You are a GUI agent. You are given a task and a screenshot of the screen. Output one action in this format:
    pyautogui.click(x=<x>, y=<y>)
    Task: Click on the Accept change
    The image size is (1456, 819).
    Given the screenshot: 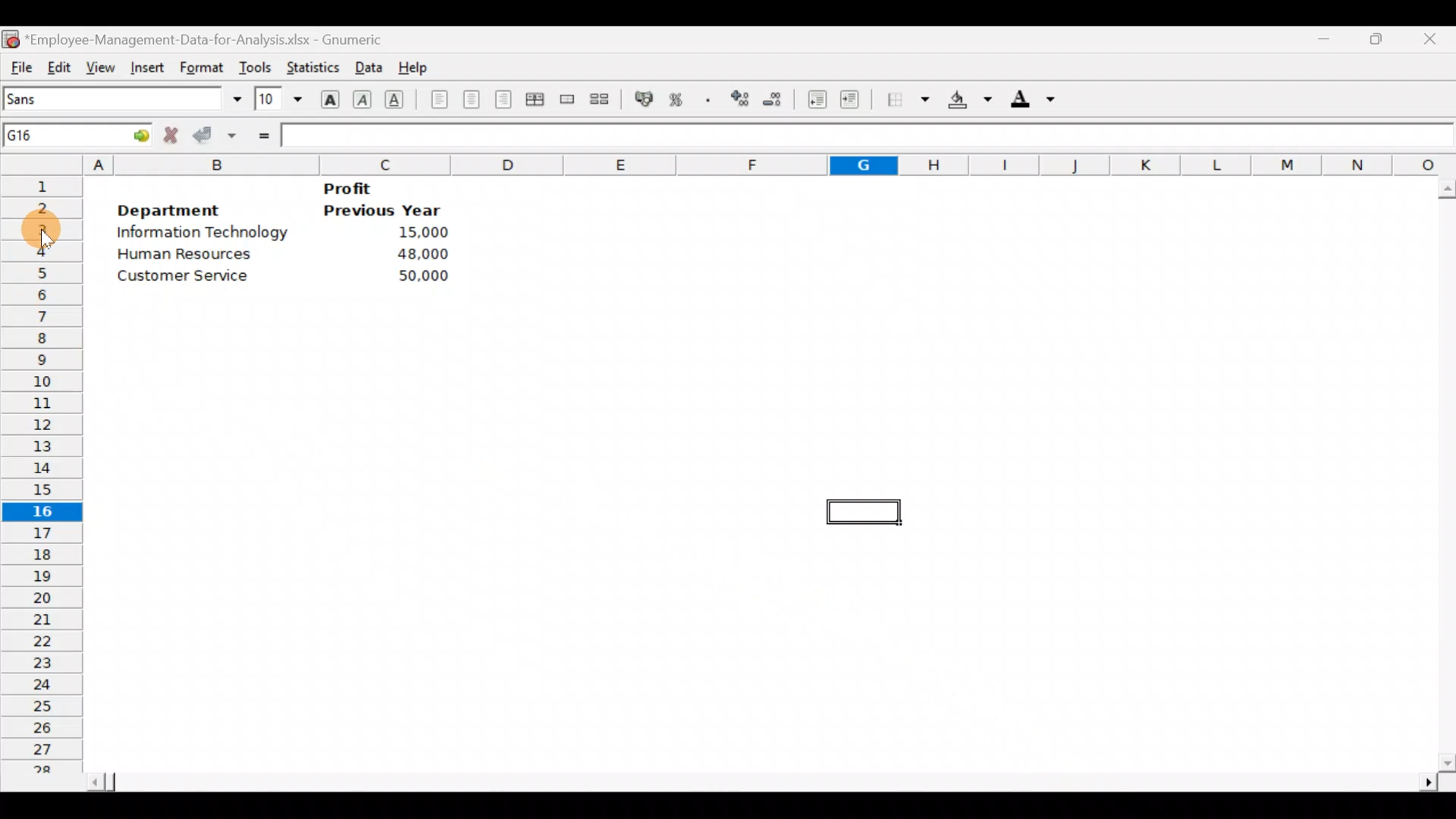 What is the action you would take?
    pyautogui.click(x=217, y=134)
    